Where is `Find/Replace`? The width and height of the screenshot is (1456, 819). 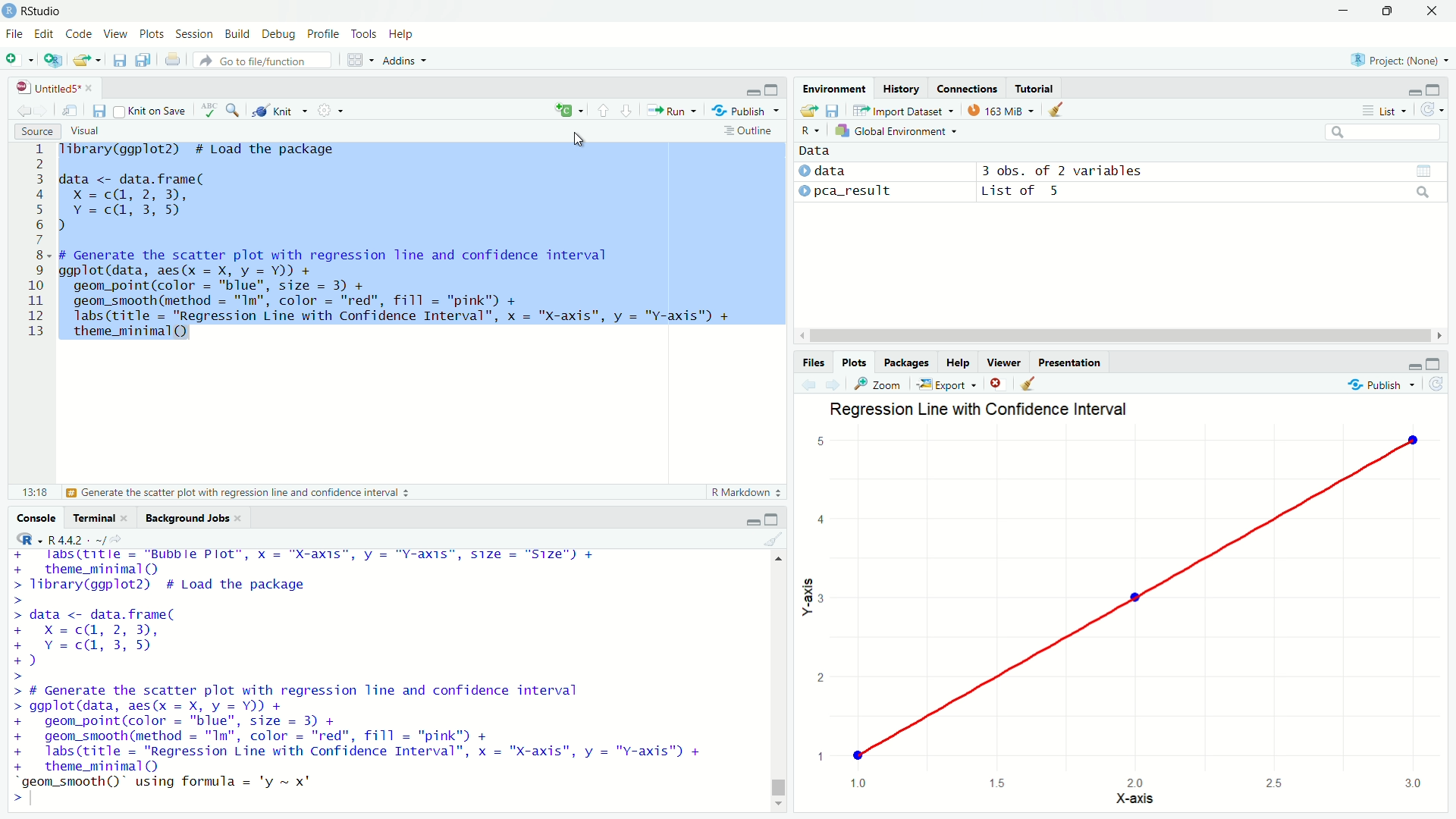 Find/Replace is located at coordinates (233, 110).